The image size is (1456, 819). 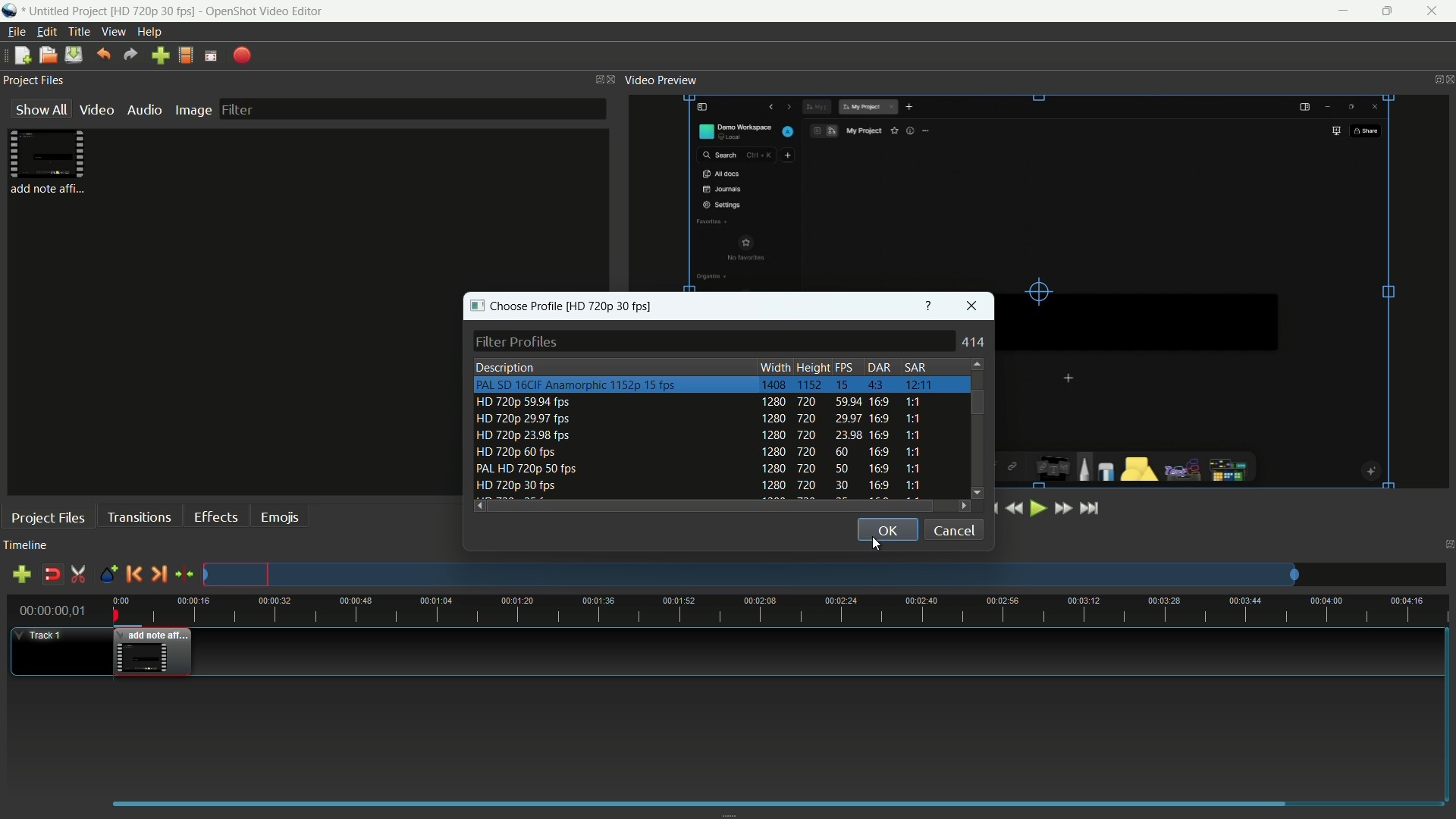 What do you see at coordinates (36, 79) in the screenshot?
I see `project files` at bounding box center [36, 79].